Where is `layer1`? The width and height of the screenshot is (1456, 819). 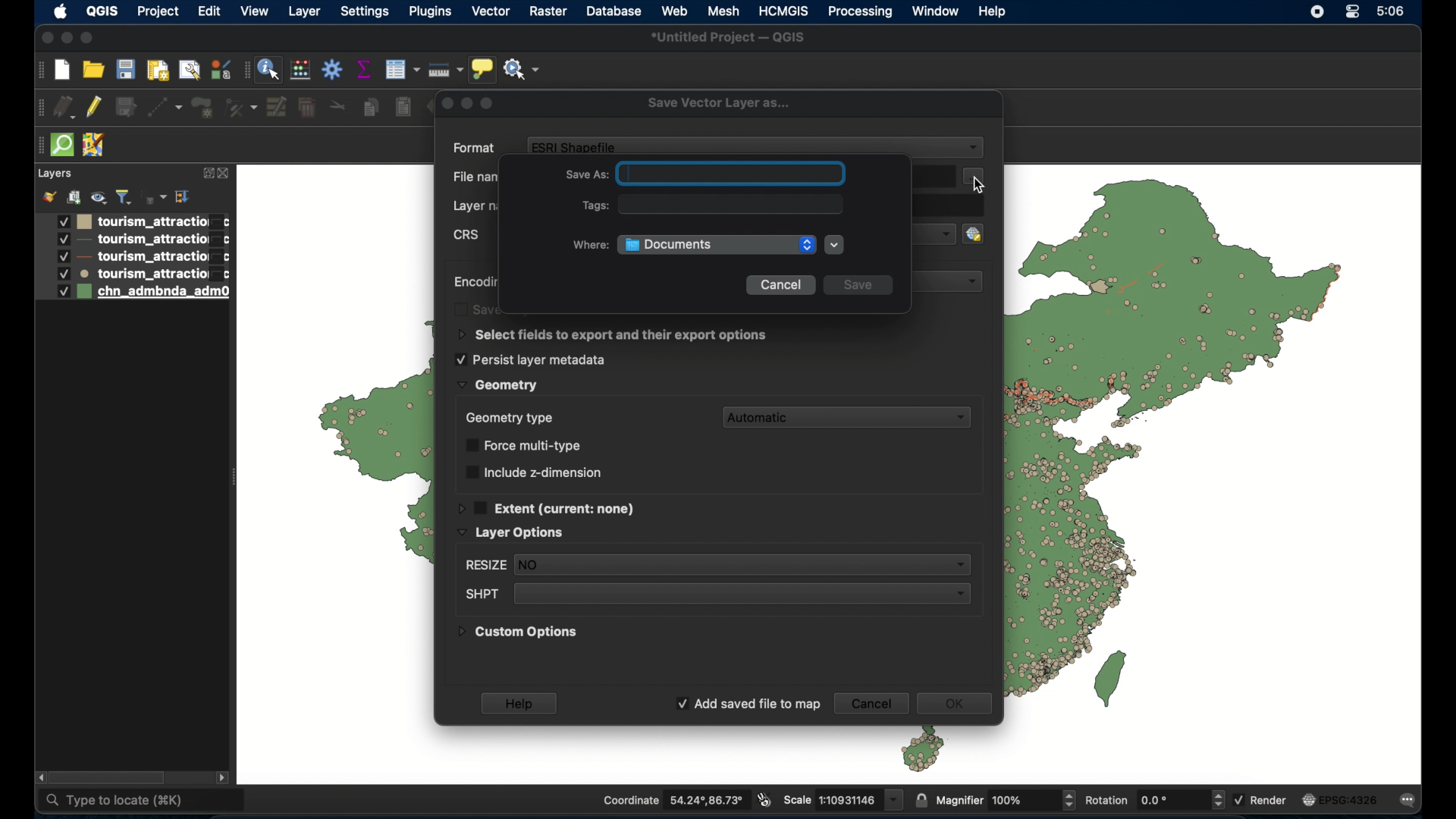 layer1 is located at coordinates (133, 221).